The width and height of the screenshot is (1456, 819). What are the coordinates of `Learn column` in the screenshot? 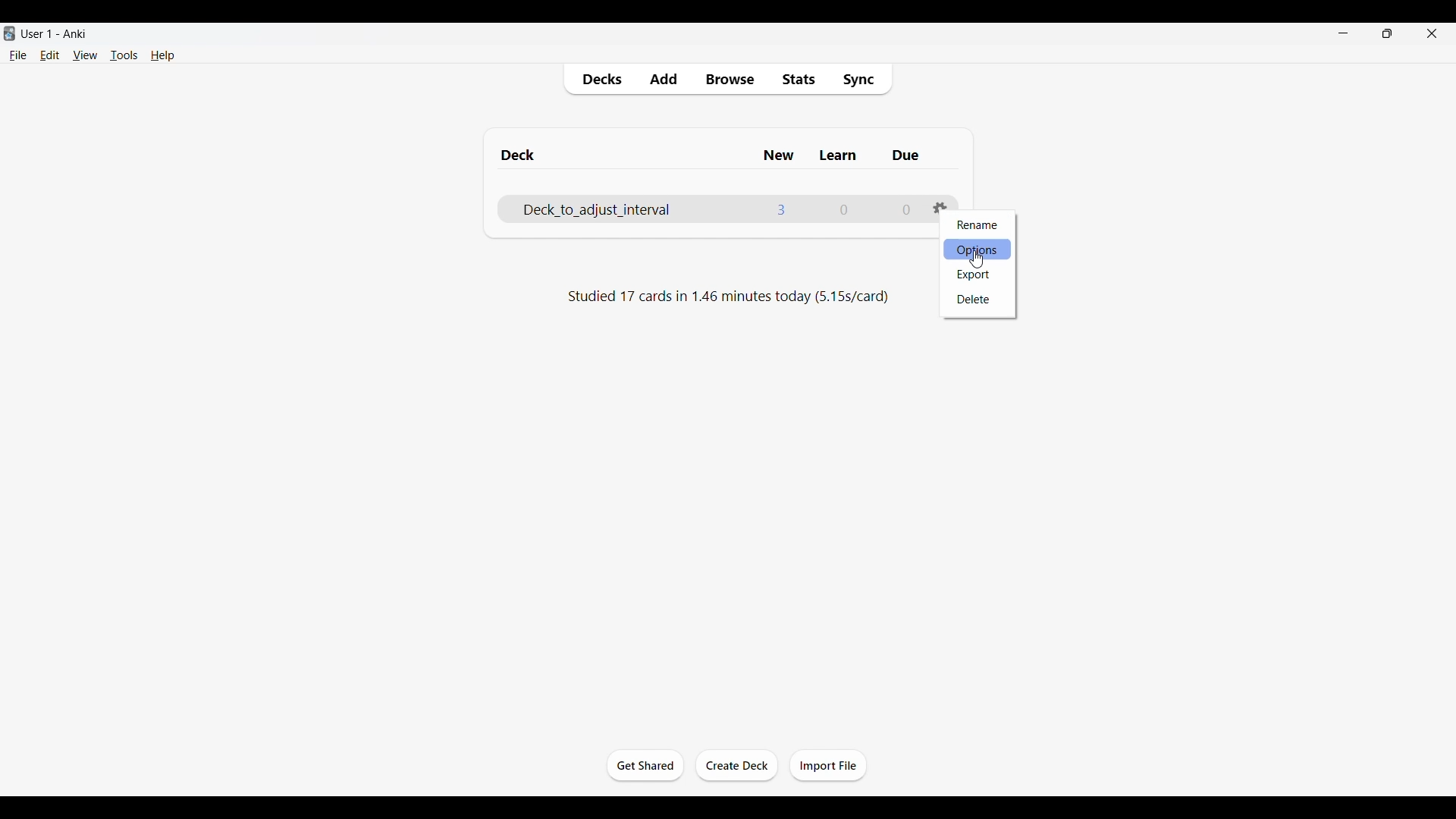 It's located at (838, 157).